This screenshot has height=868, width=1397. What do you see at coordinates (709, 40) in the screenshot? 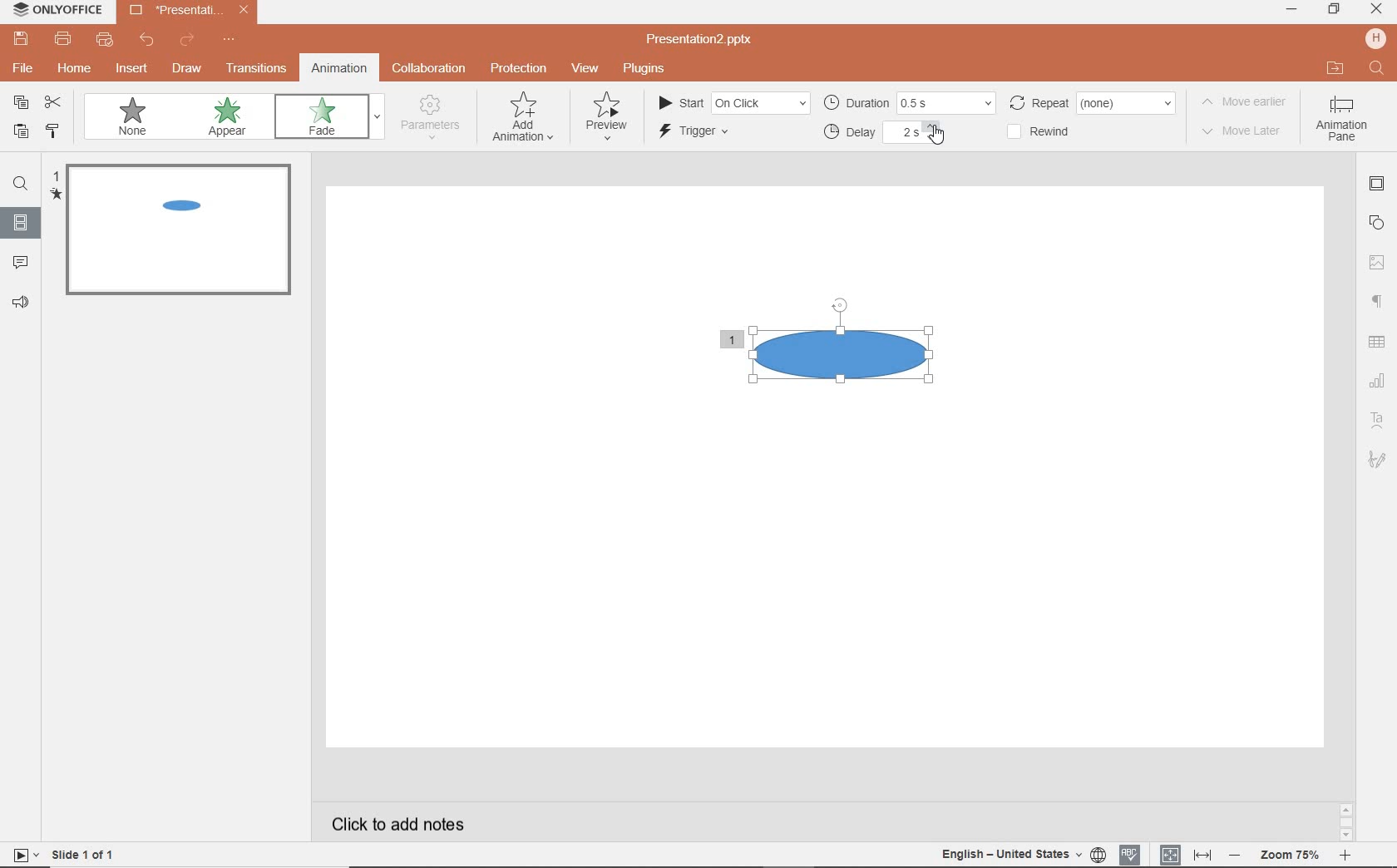
I see `Presentation2.pptx` at bounding box center [709, 40].